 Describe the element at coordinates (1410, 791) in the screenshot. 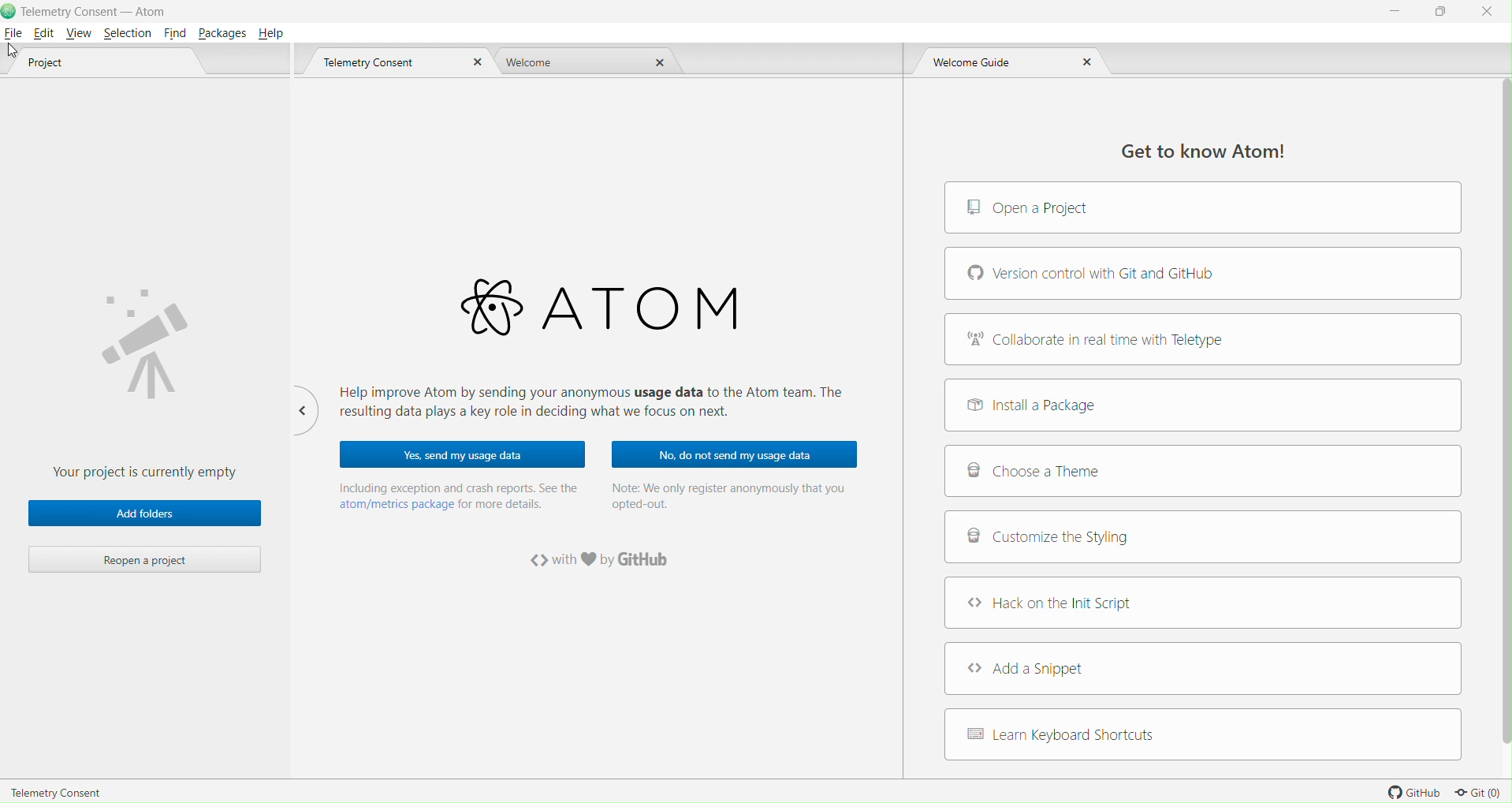

I see `GitHub` at that location.